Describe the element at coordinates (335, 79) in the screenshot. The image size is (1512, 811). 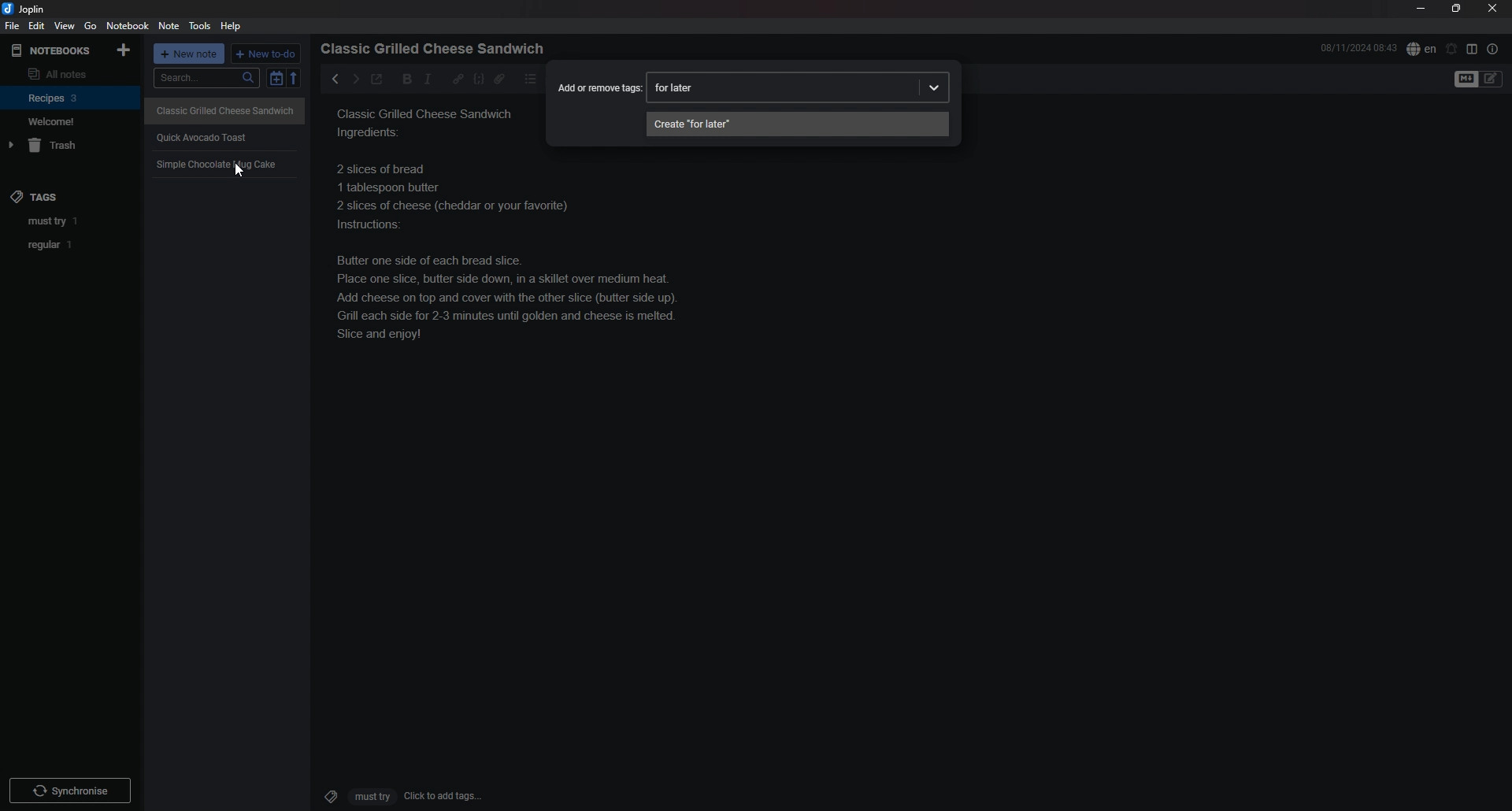
I see `previous` at that location.